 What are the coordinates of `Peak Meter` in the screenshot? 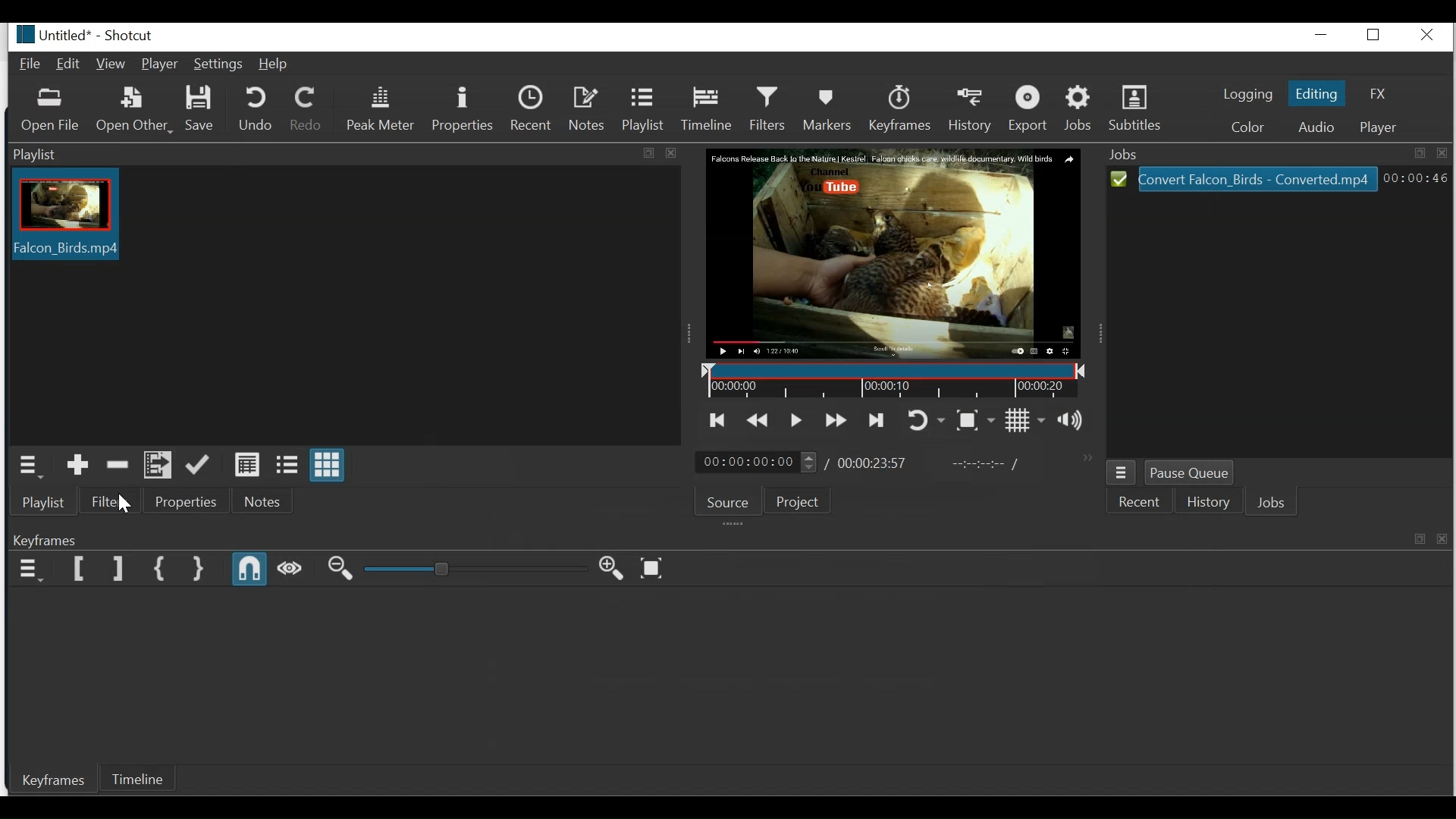 It's located at (379, 108).